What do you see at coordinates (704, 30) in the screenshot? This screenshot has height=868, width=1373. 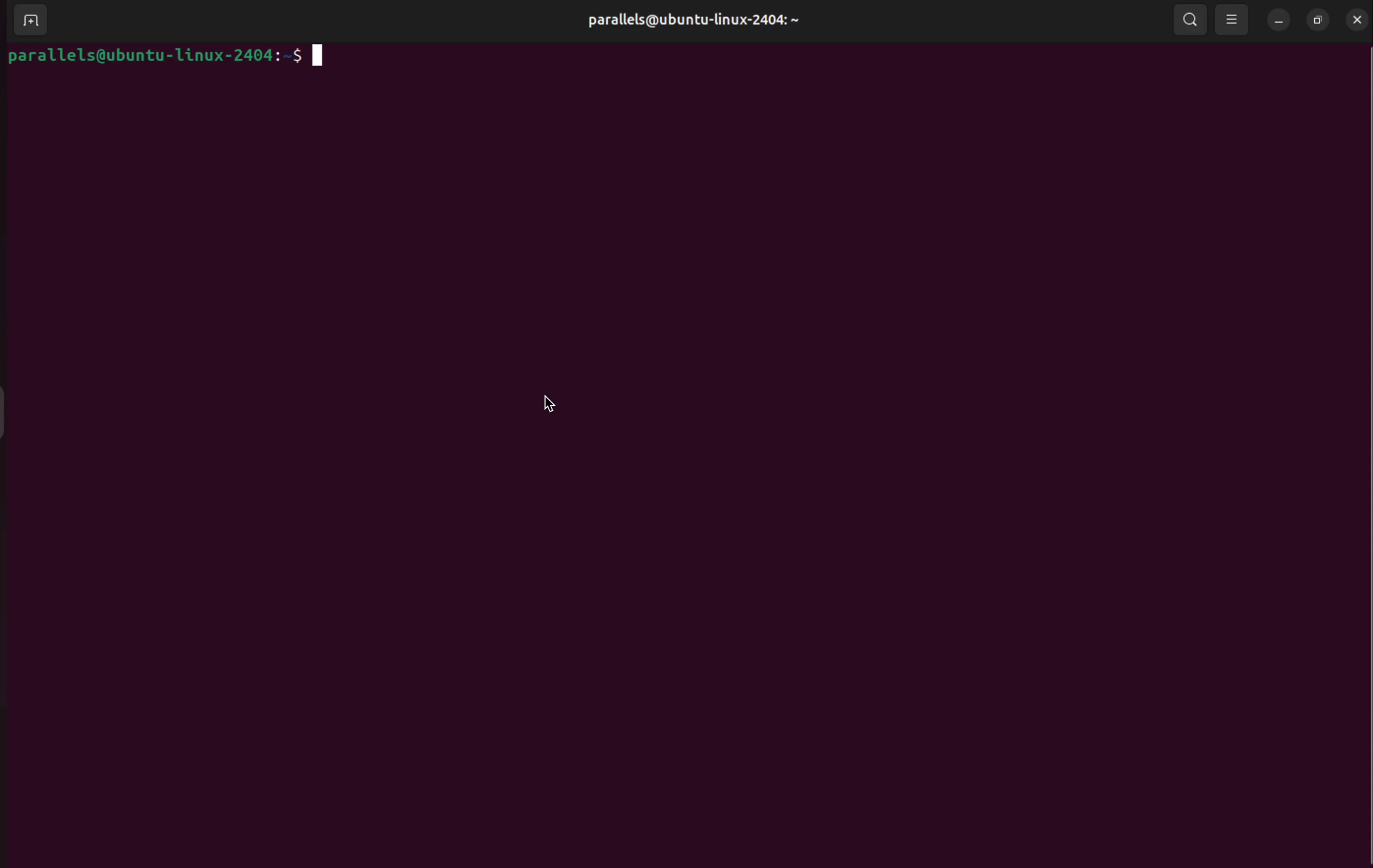 I see `parallels@ubuntu-linux-2404: ~` at bounding box center [704, 30].